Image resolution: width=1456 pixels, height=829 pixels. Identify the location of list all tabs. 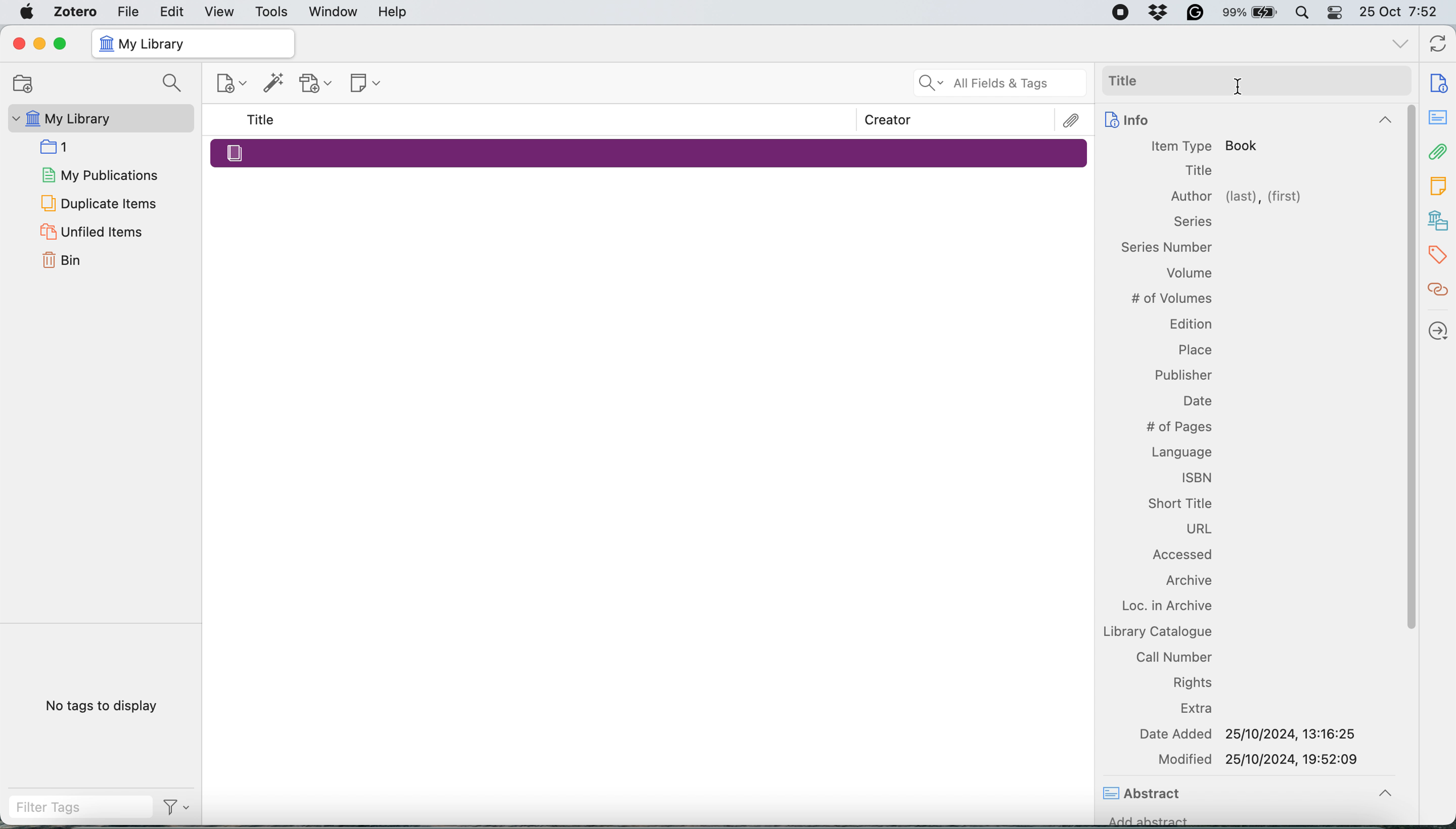
(1401, 46).